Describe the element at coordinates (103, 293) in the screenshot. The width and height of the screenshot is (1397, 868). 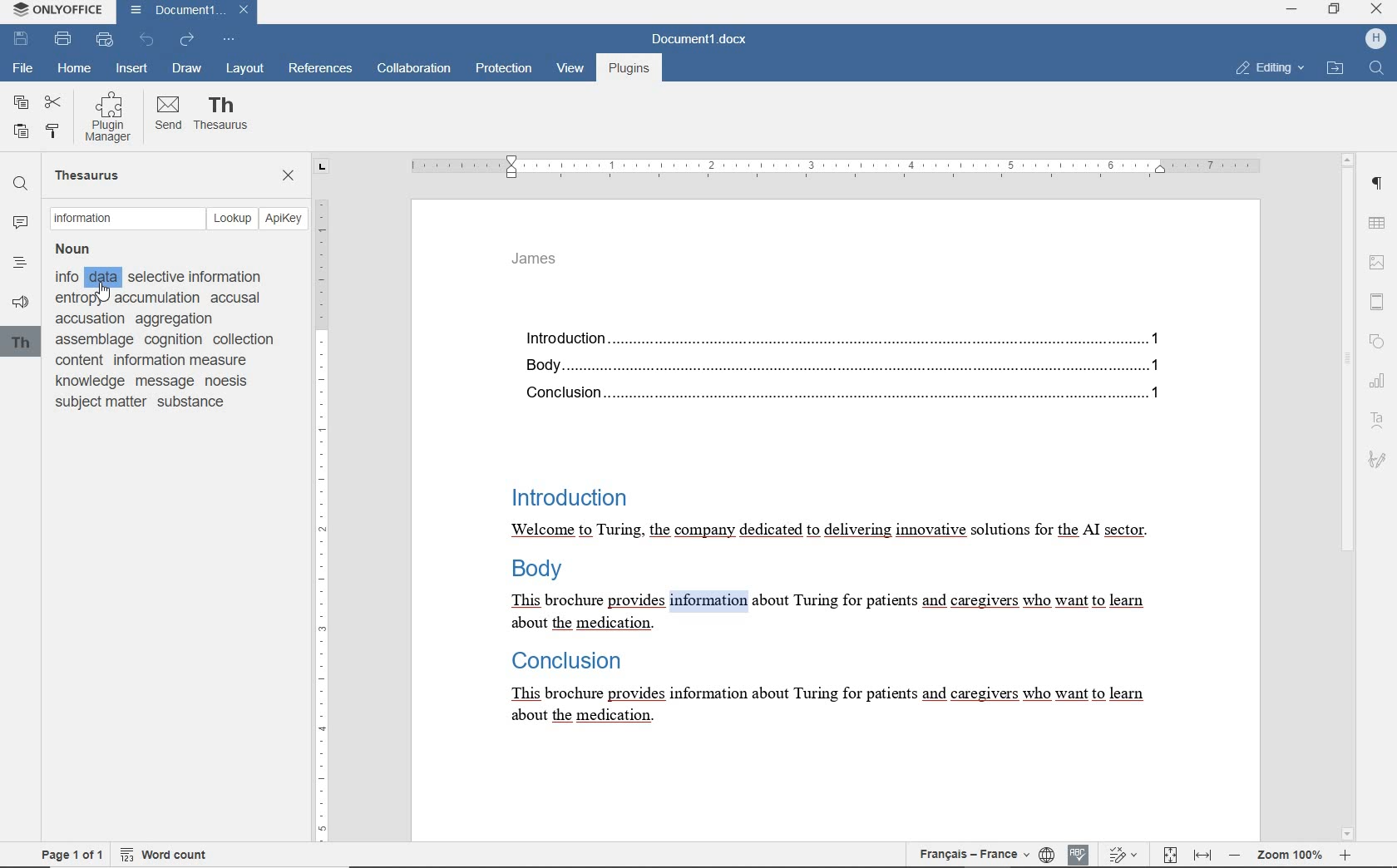
I see `cursor` at that location.